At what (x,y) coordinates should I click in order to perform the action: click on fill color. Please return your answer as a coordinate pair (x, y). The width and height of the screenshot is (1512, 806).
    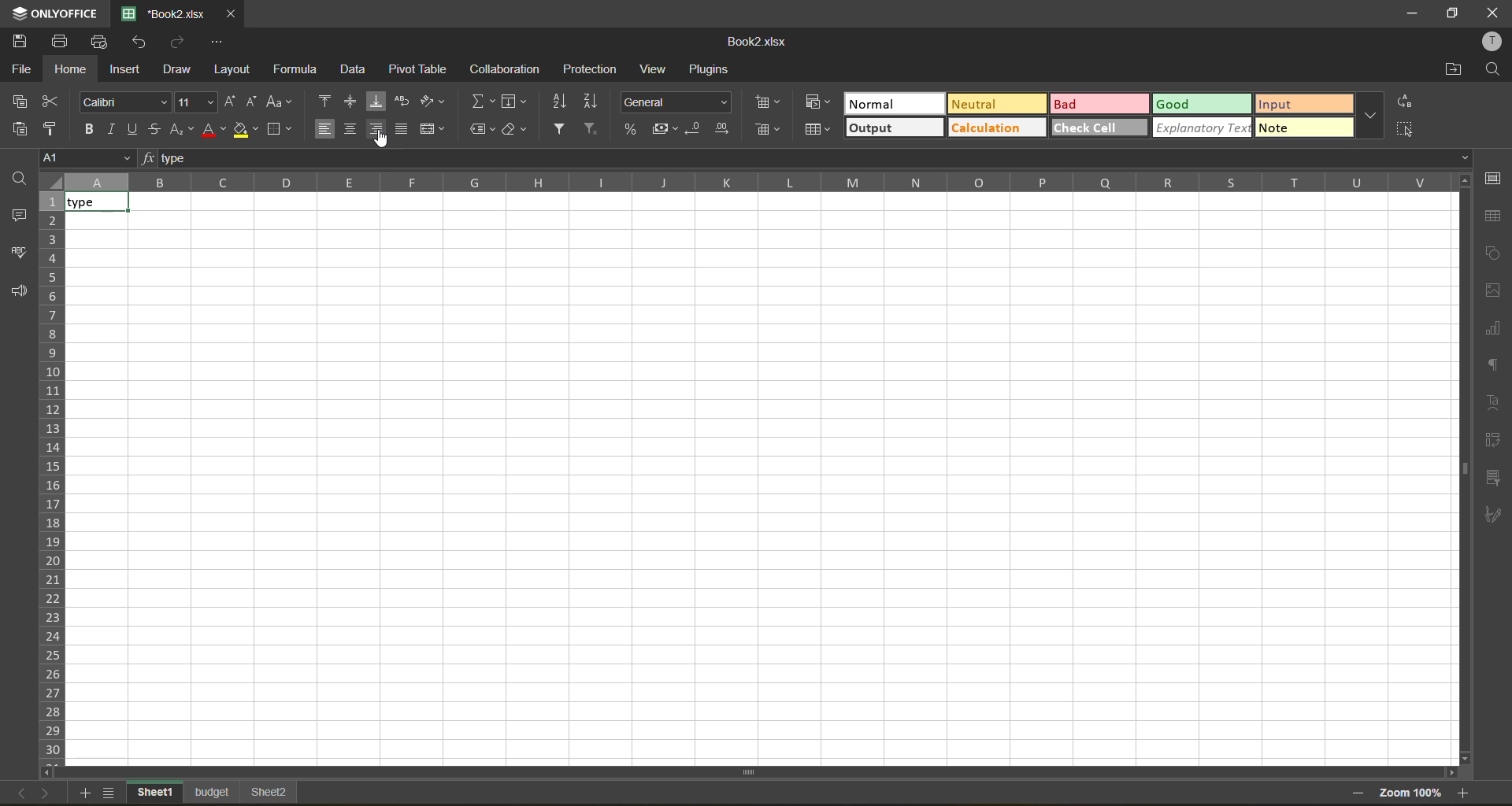
    Looking at the image, I should click on (245, 131).